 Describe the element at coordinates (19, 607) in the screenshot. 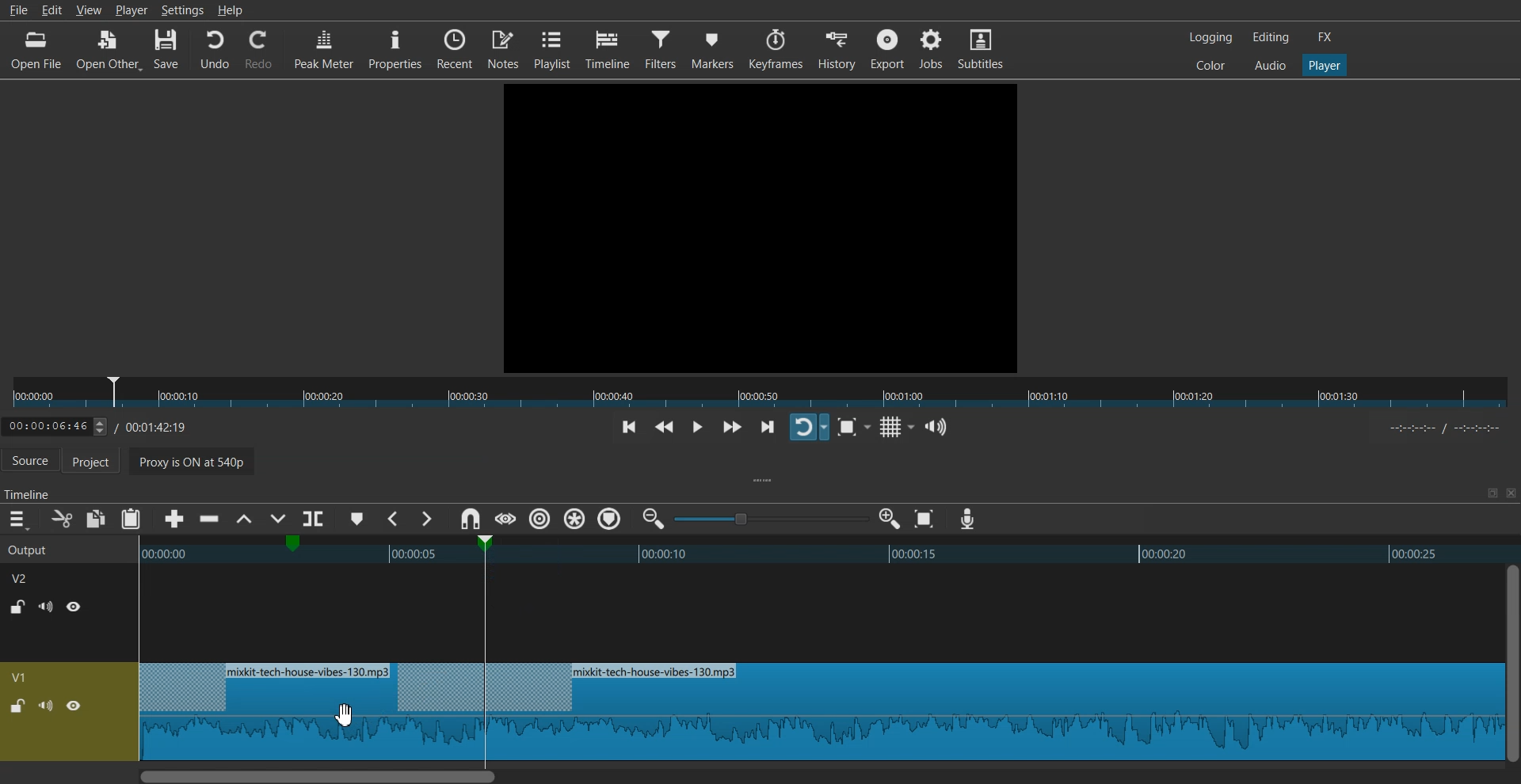

I see `Lock / UnLock` at that location.